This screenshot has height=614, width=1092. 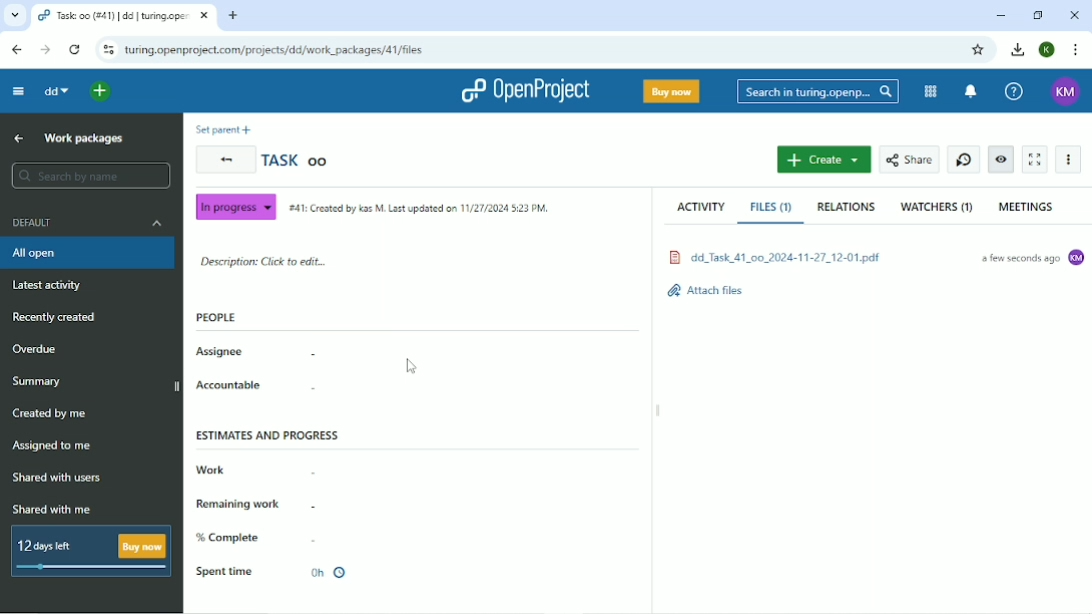 What do you see at coordinates (57, 318) in the screenshot?
I see `Recently created` at bounding box center [57, 318].